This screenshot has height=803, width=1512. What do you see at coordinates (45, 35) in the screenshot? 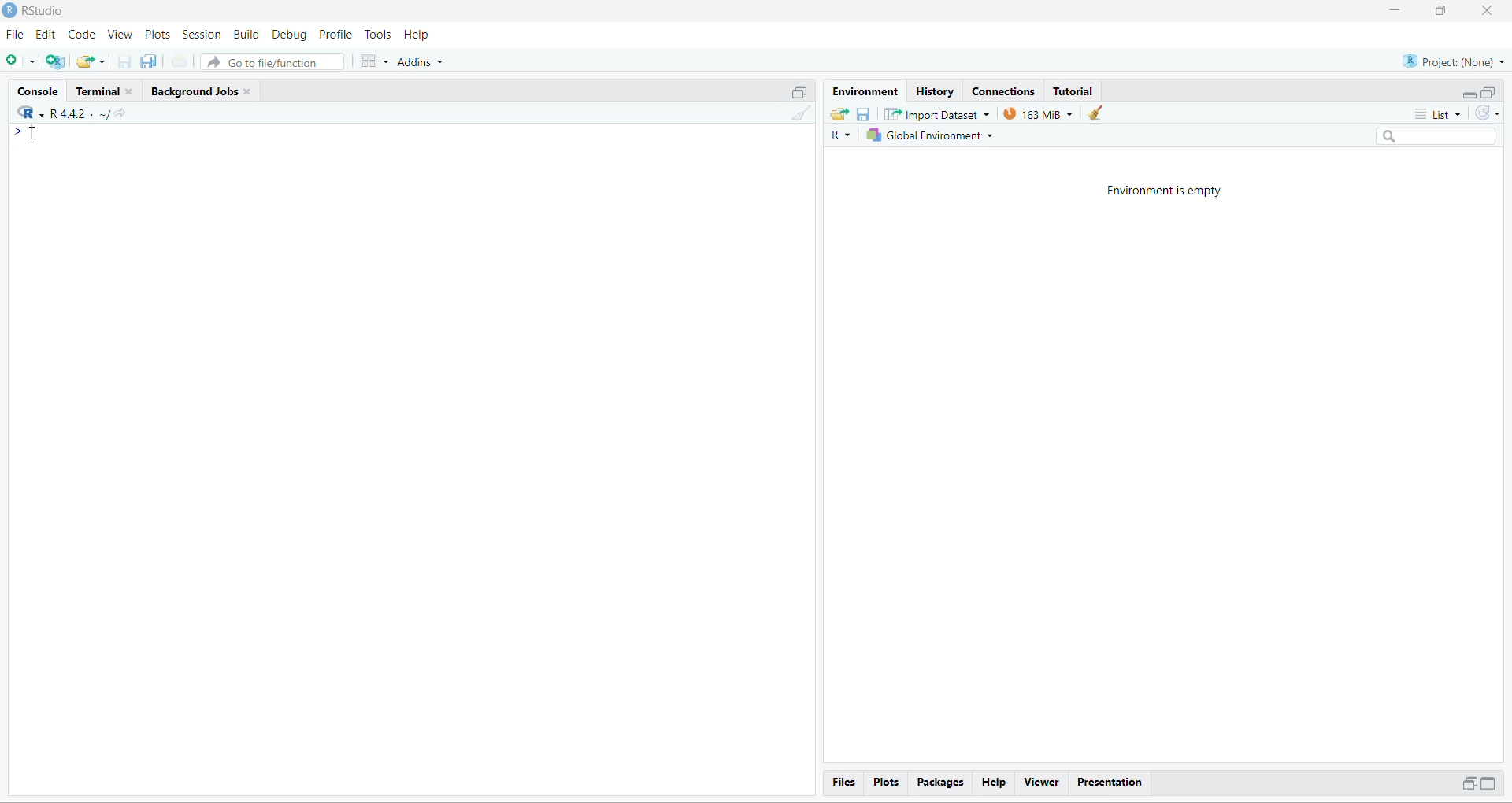
I see `edit` at bounding box center [45, 35].